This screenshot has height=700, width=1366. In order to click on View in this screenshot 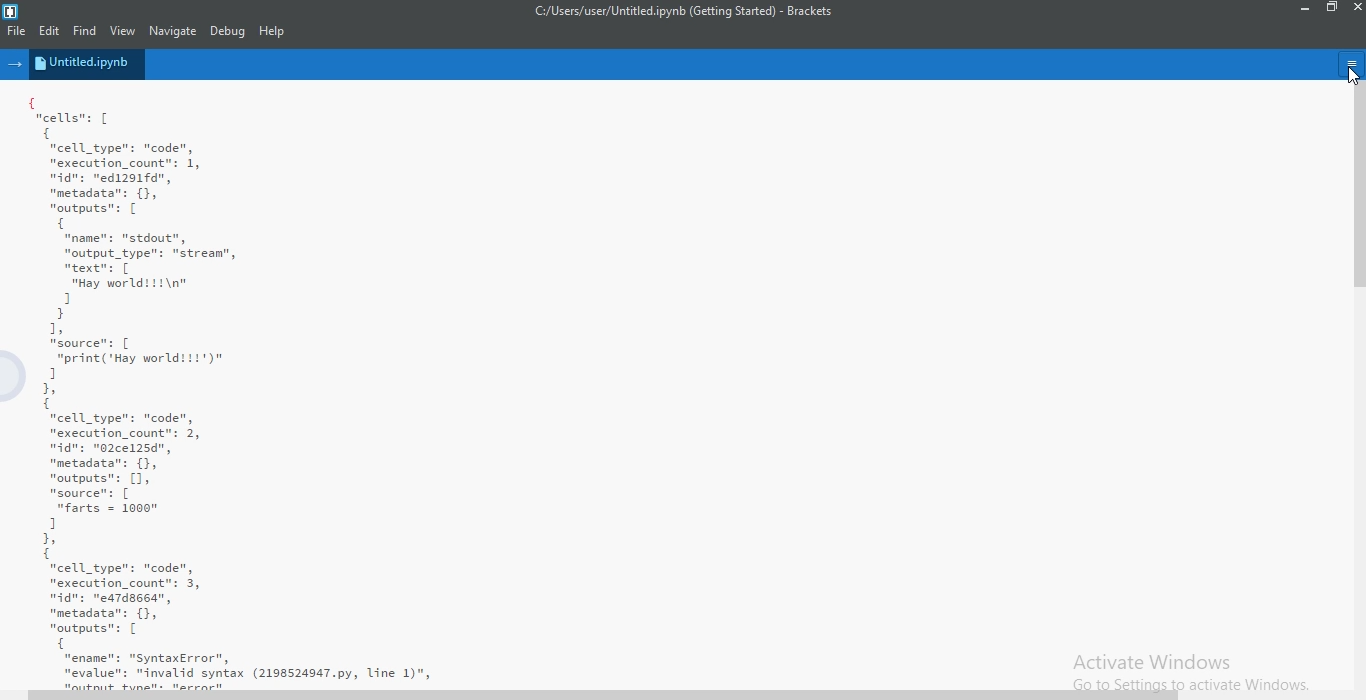, I will do `click(124, 30)`.